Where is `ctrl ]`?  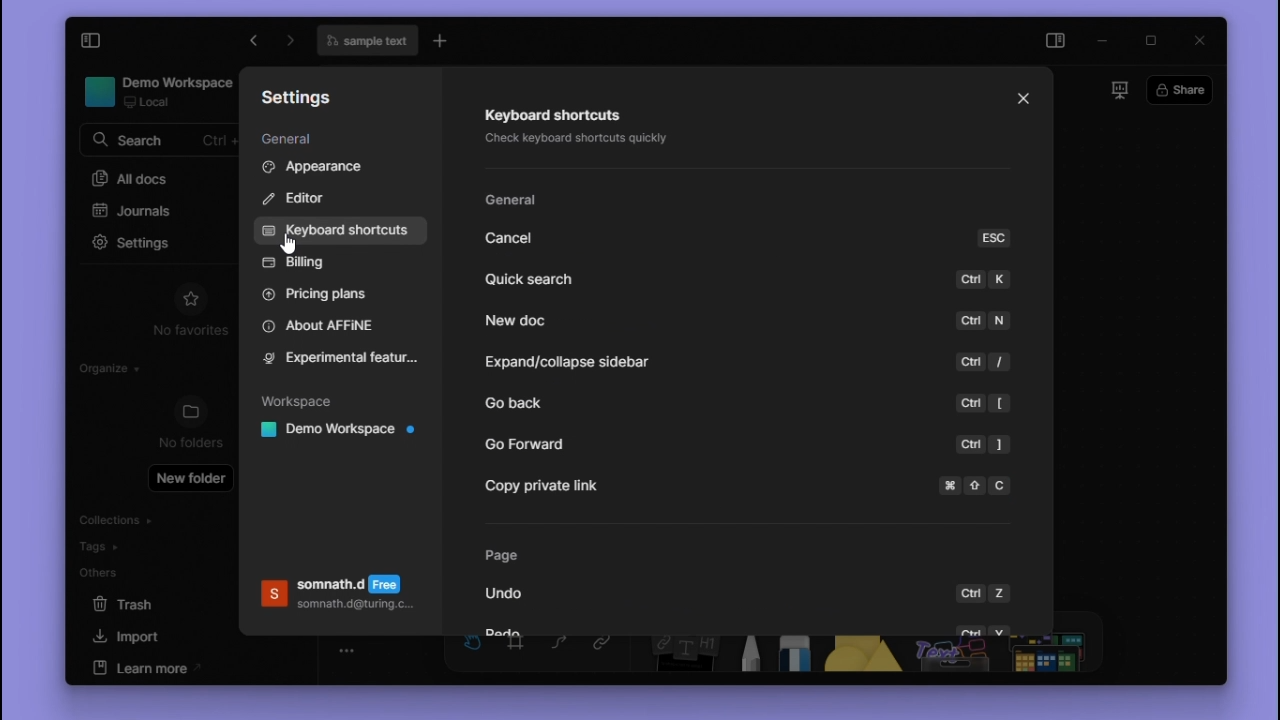 ctrl ] is located at coordinates (985, 444).